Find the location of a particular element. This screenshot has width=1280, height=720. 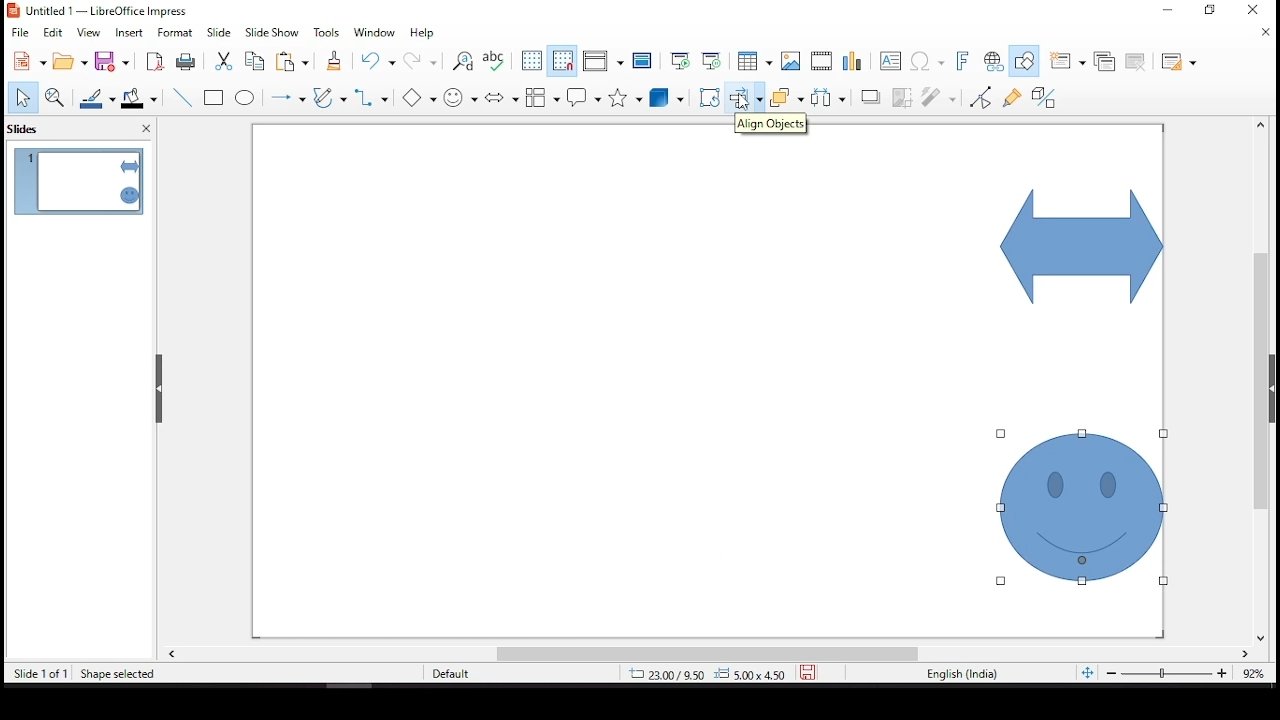

ellipse is located at coordinates (247, 100).